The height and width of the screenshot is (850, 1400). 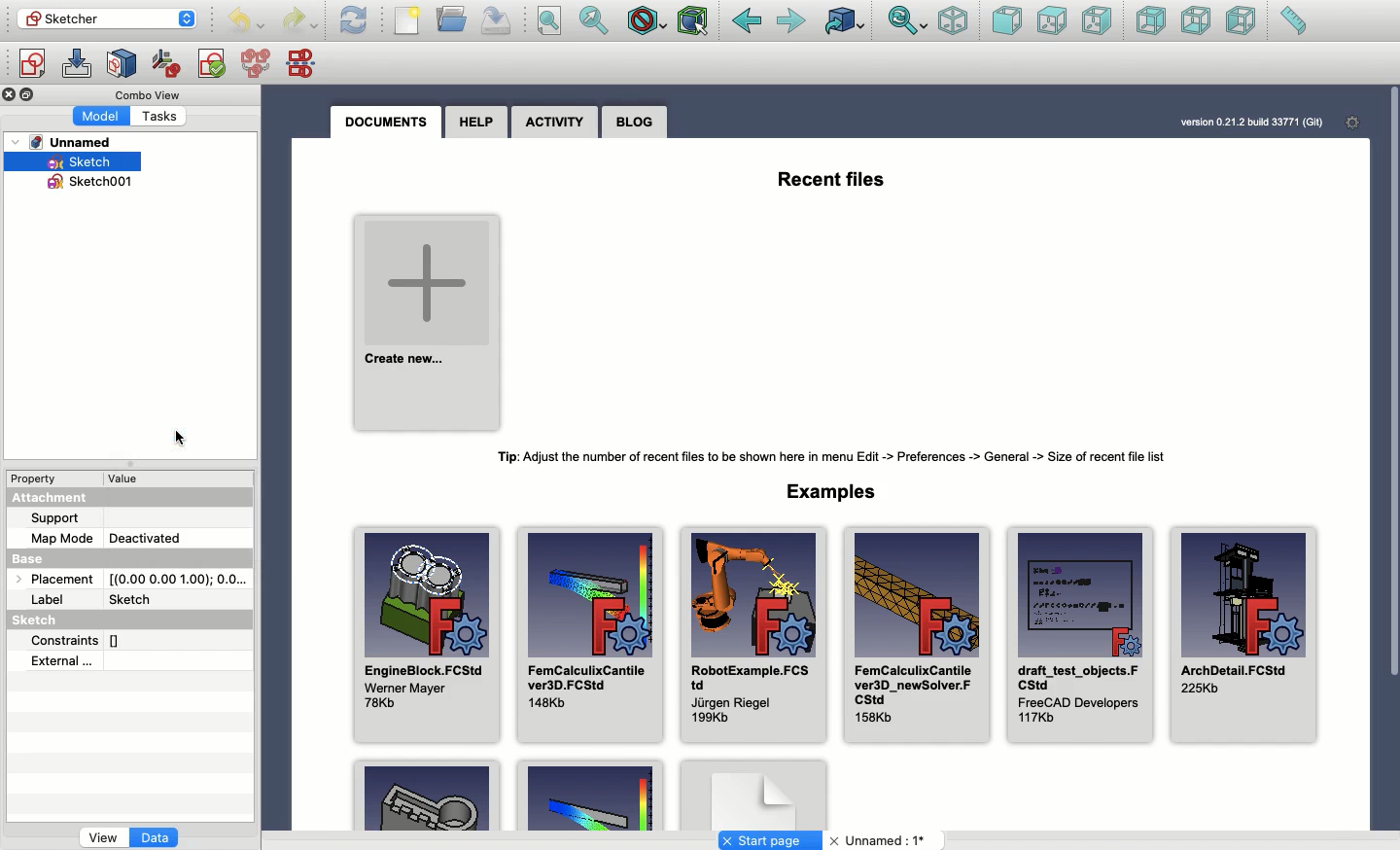 I want to click on FemCalculixCantile, so click(x=589, y=632).